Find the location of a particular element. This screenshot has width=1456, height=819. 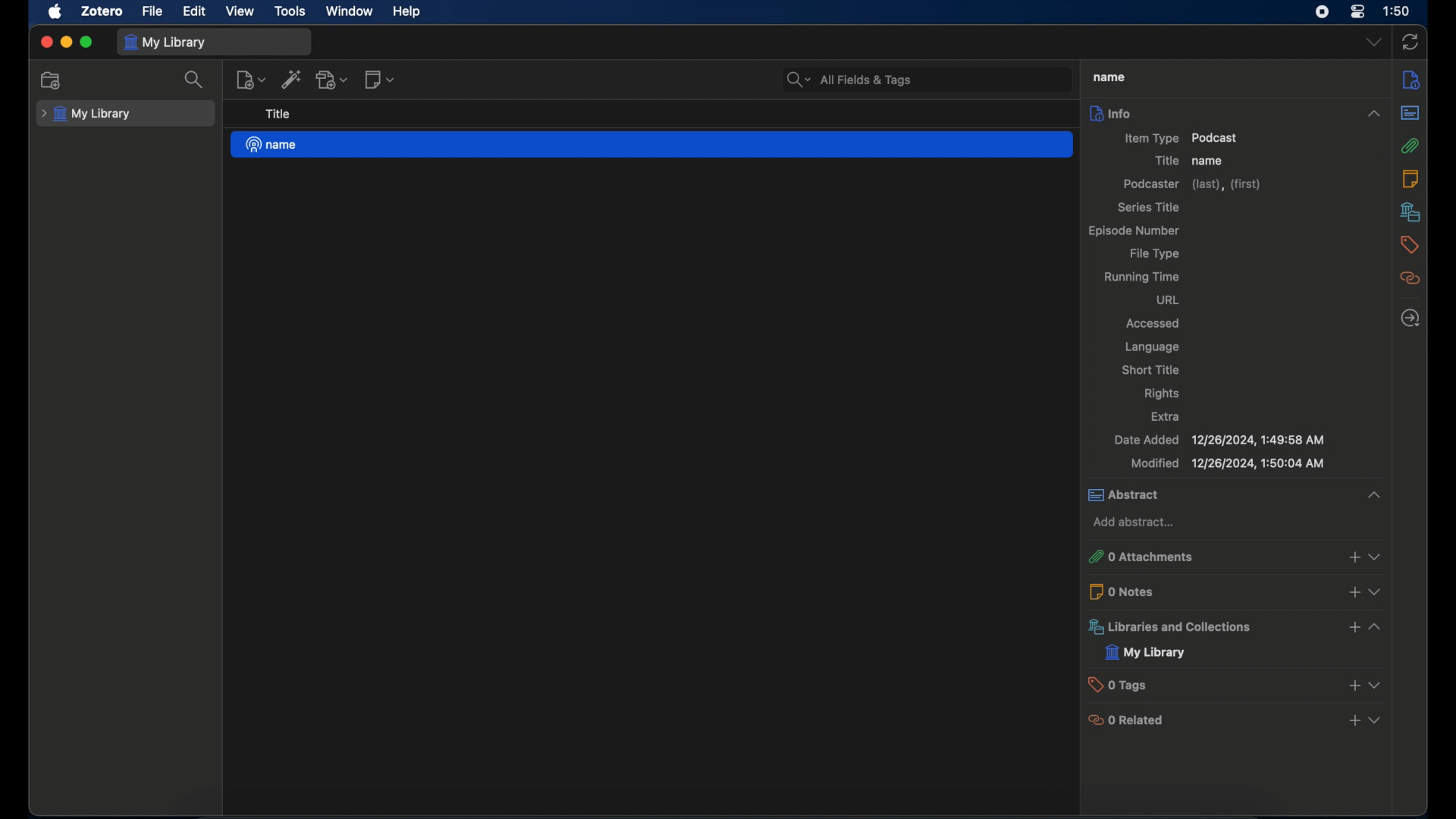

extra is located at coordinates (1166, 416).